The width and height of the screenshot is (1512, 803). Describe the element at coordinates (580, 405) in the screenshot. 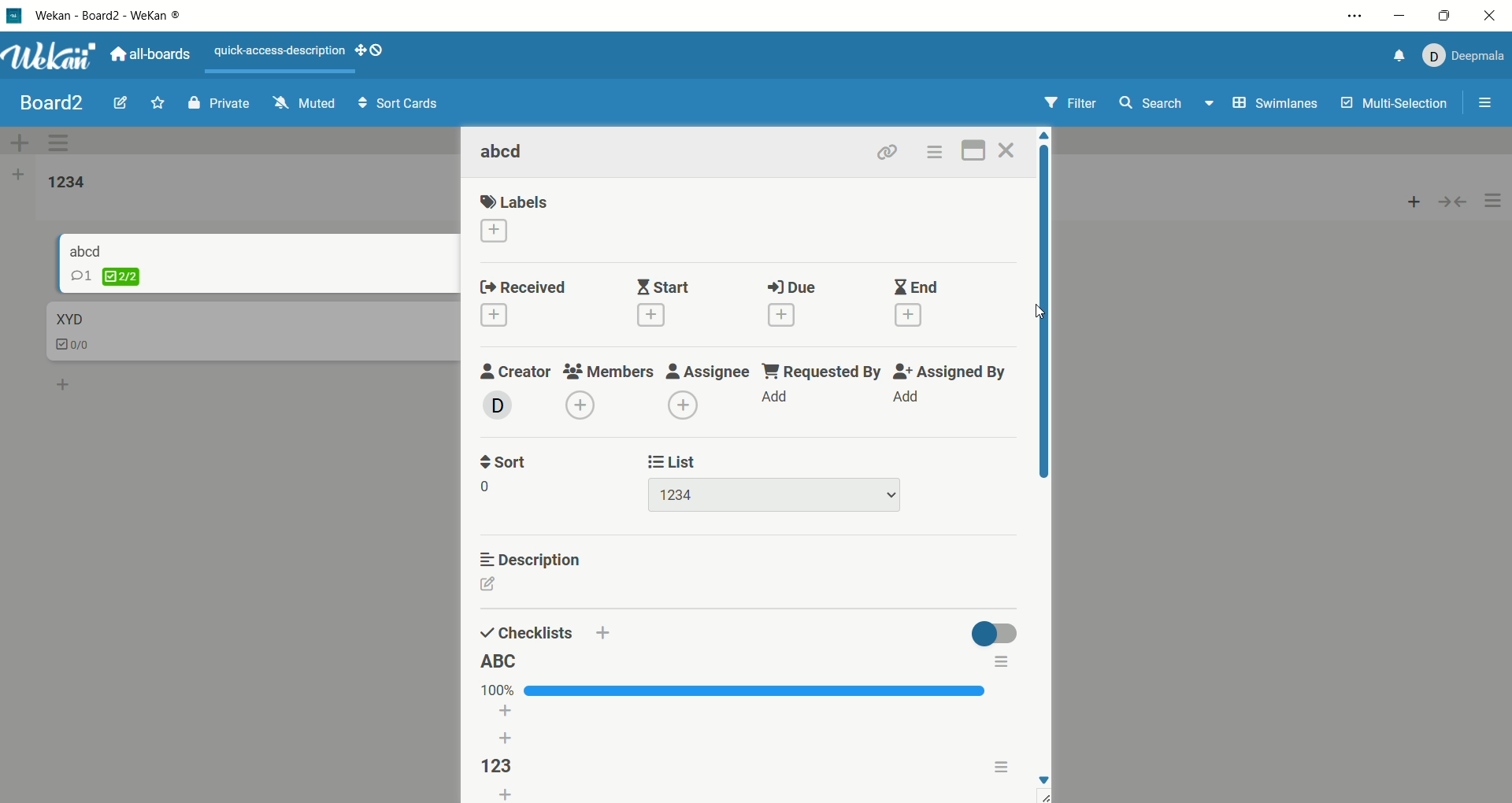

I see `add` at that location.